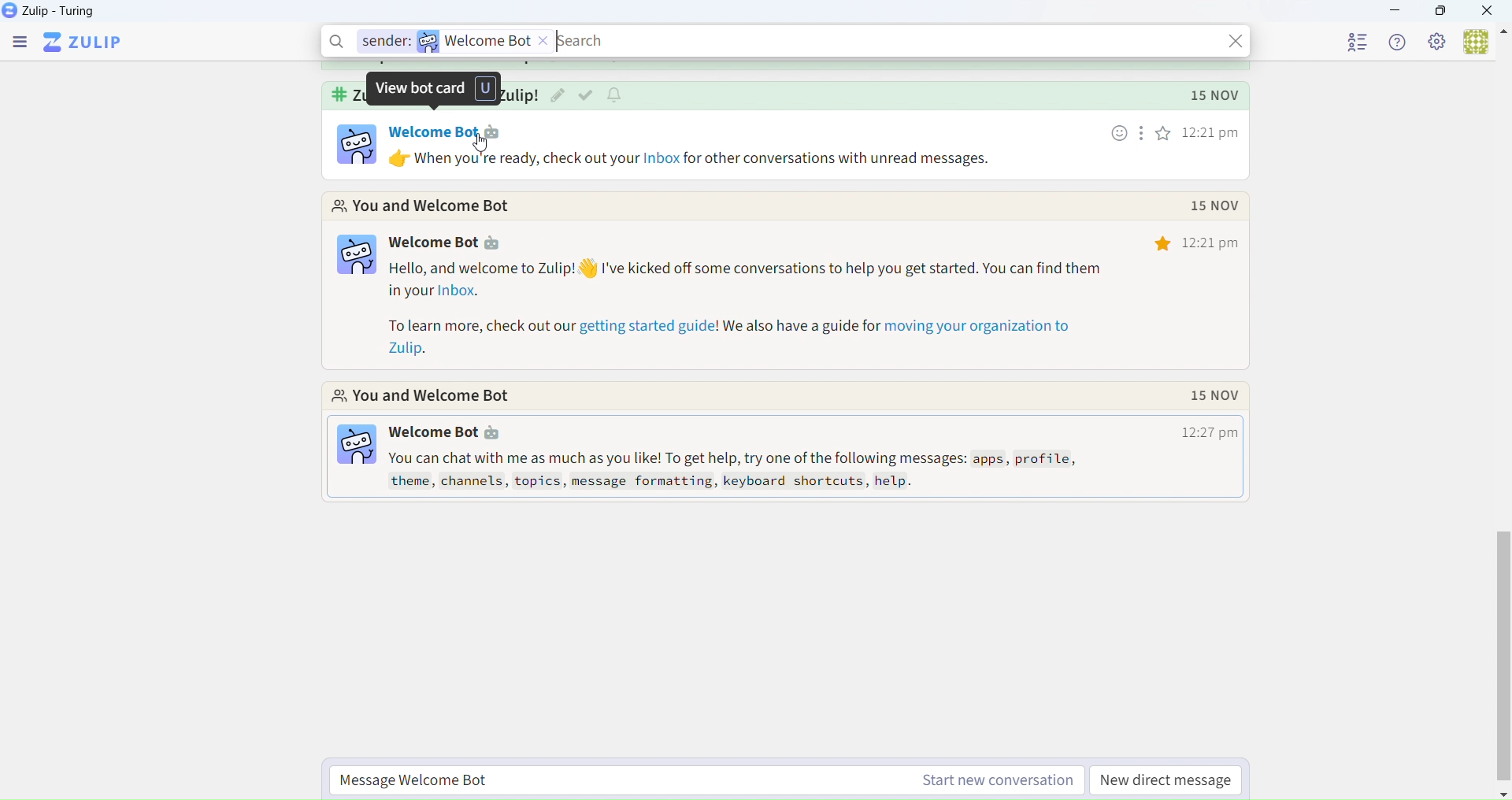 This screenshot has width=1512, height=800. I want to click on New direct message, so click(1169, 777).